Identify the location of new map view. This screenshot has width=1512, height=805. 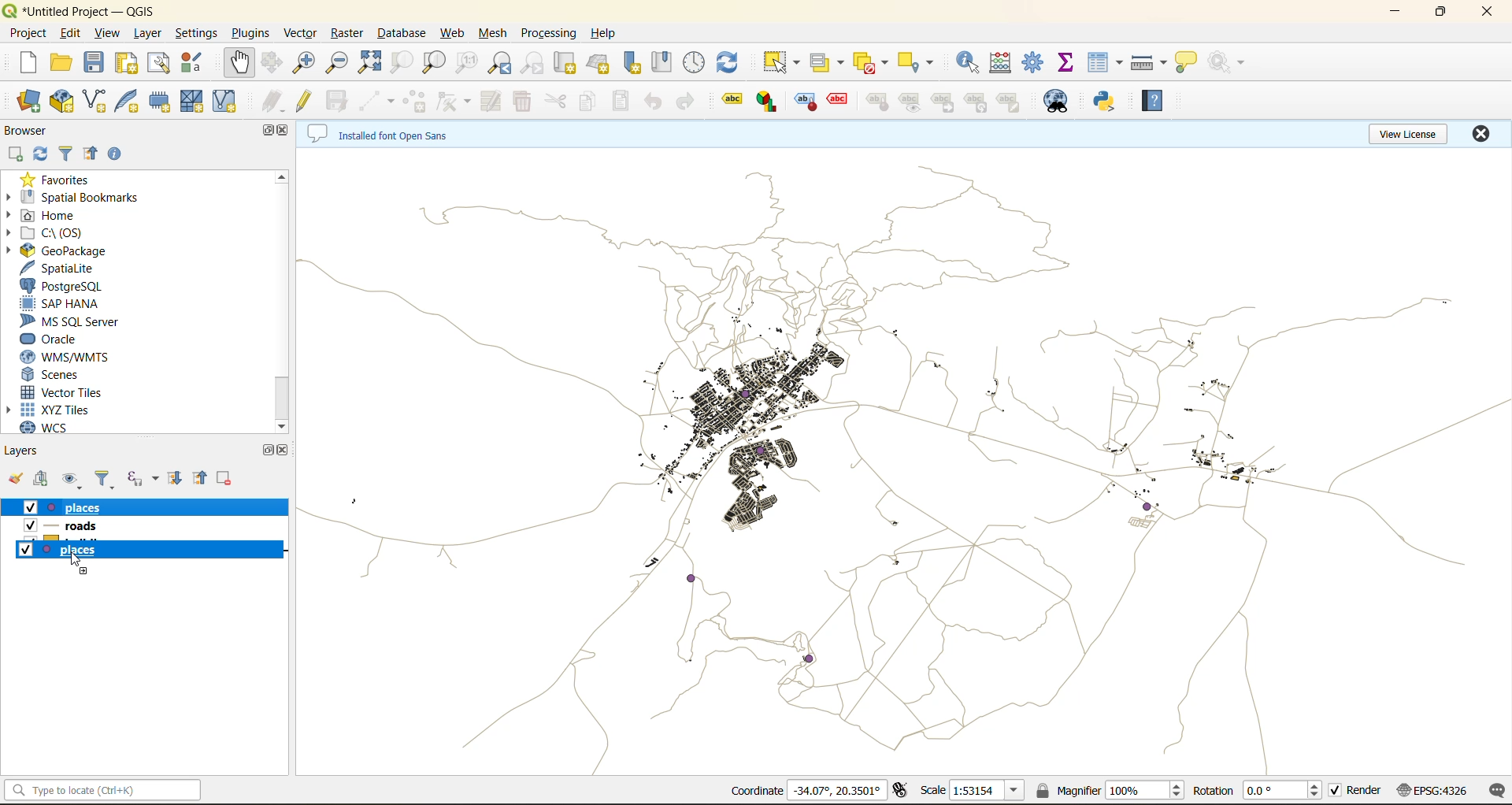
(566, 63).